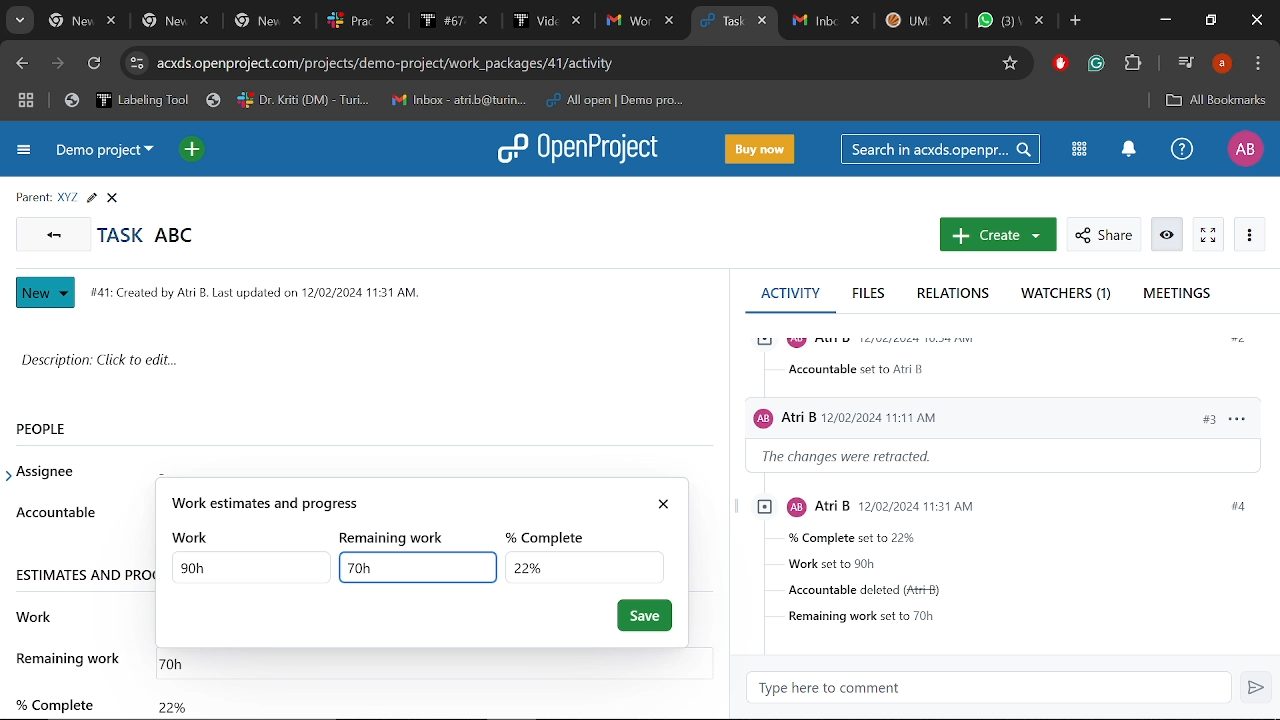  What do you see at coordinates (953, 295) in the screenshot?
I see `Relations` at bounding box center [953, 295].